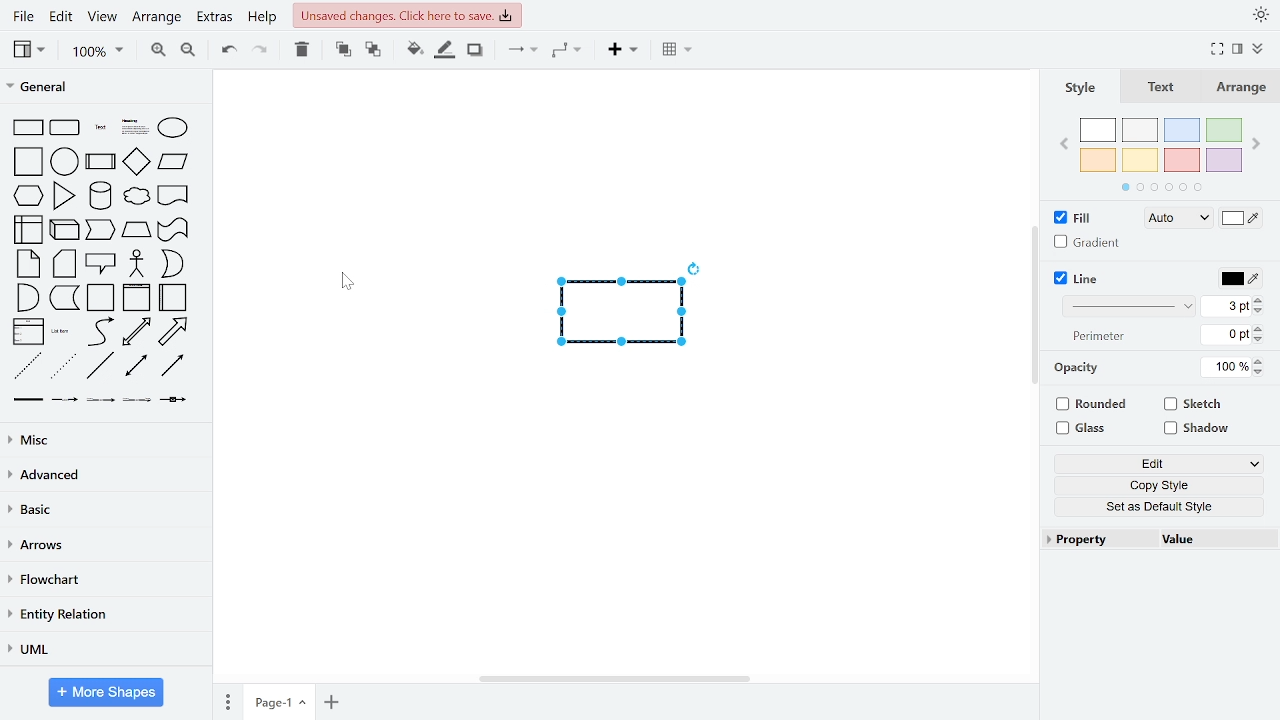  What do you see at coordinates (65, 398) in the screenshot?
I see `general shapes` at bounding box center [65, 398].